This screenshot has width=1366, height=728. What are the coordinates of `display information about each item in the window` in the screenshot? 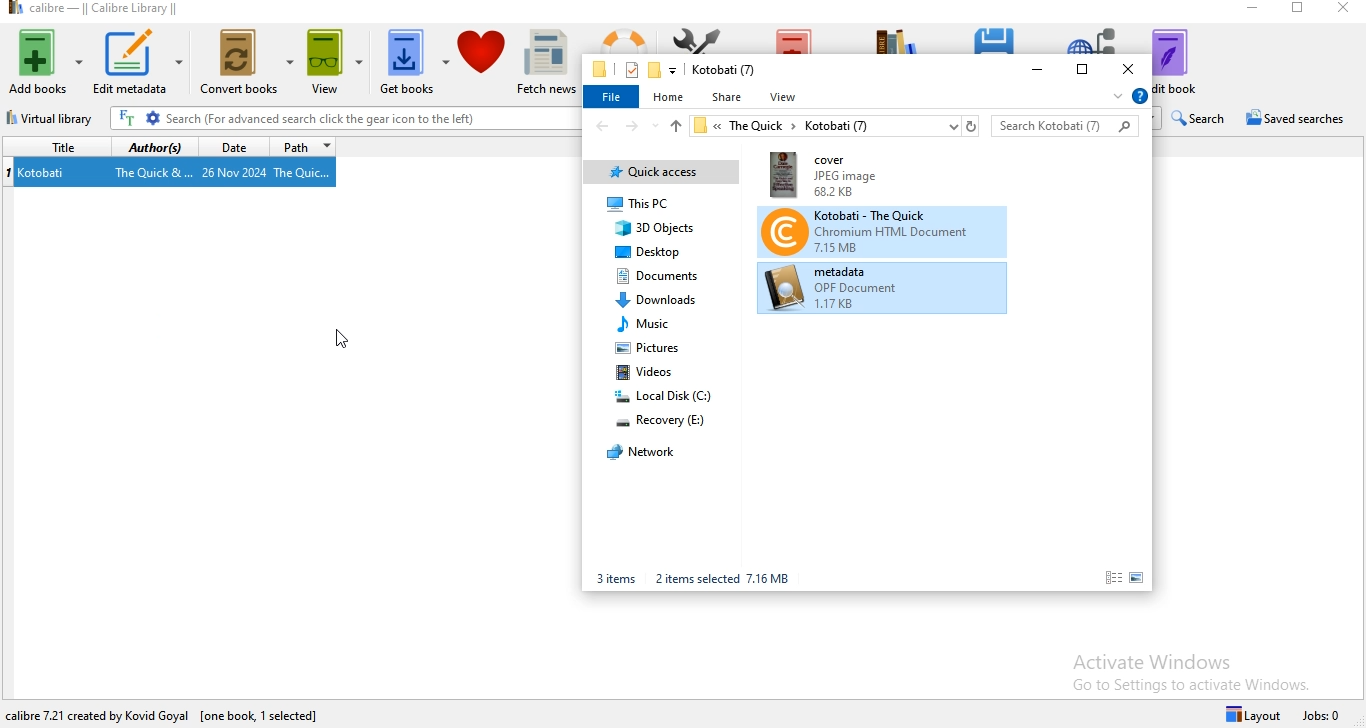 It's located at (1113, 578).